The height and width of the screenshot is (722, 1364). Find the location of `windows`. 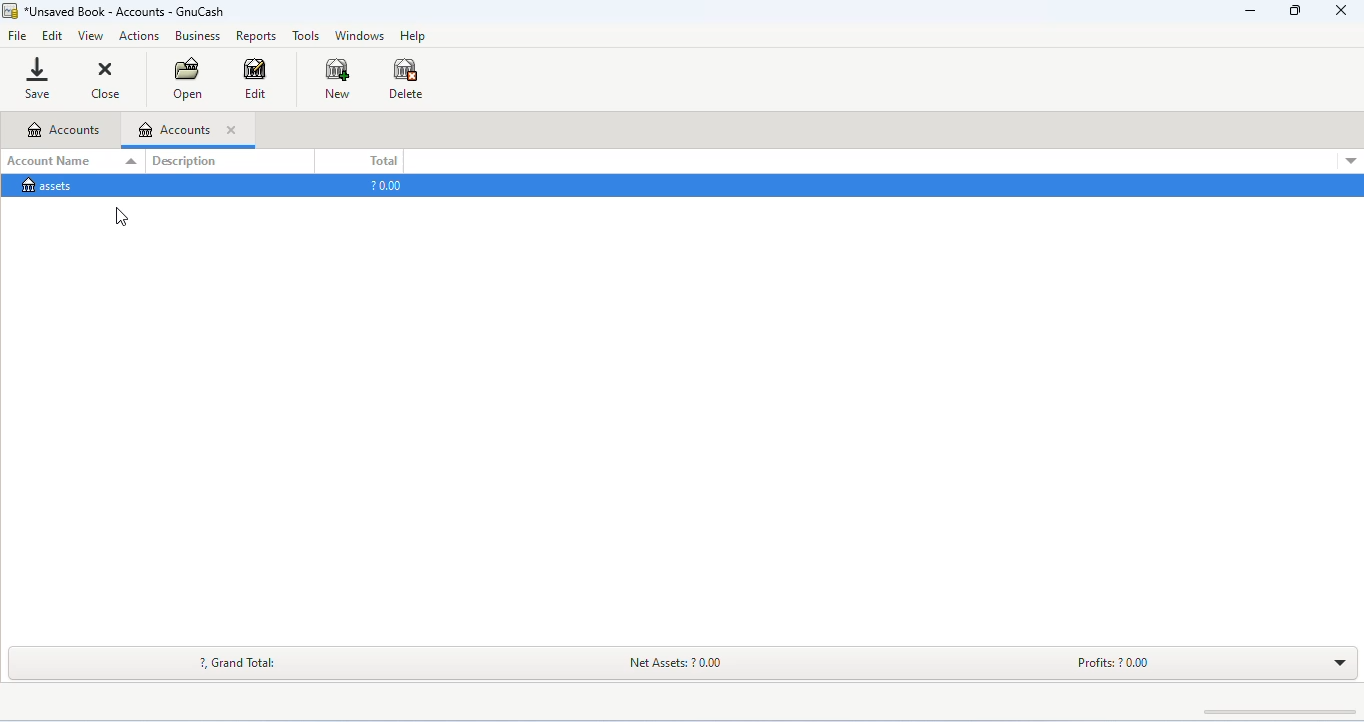

windows is located at coordinates (361, 36).